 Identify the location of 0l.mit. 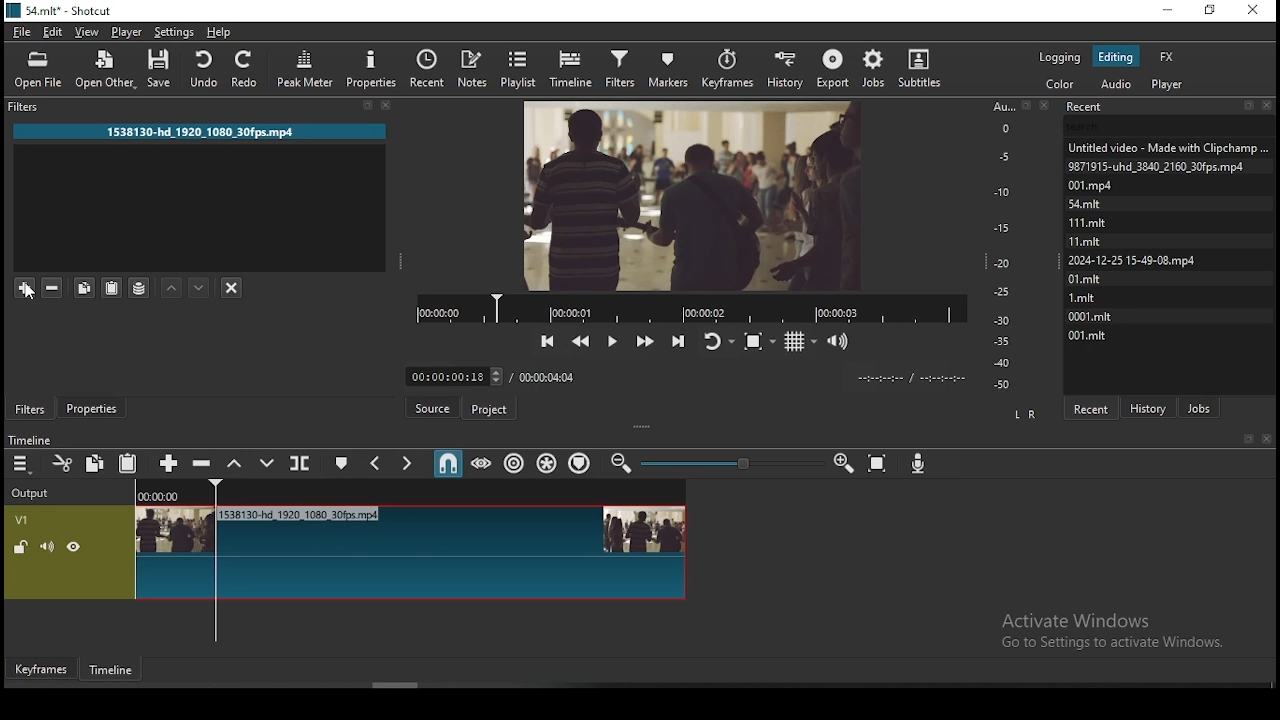
(1085, 278).